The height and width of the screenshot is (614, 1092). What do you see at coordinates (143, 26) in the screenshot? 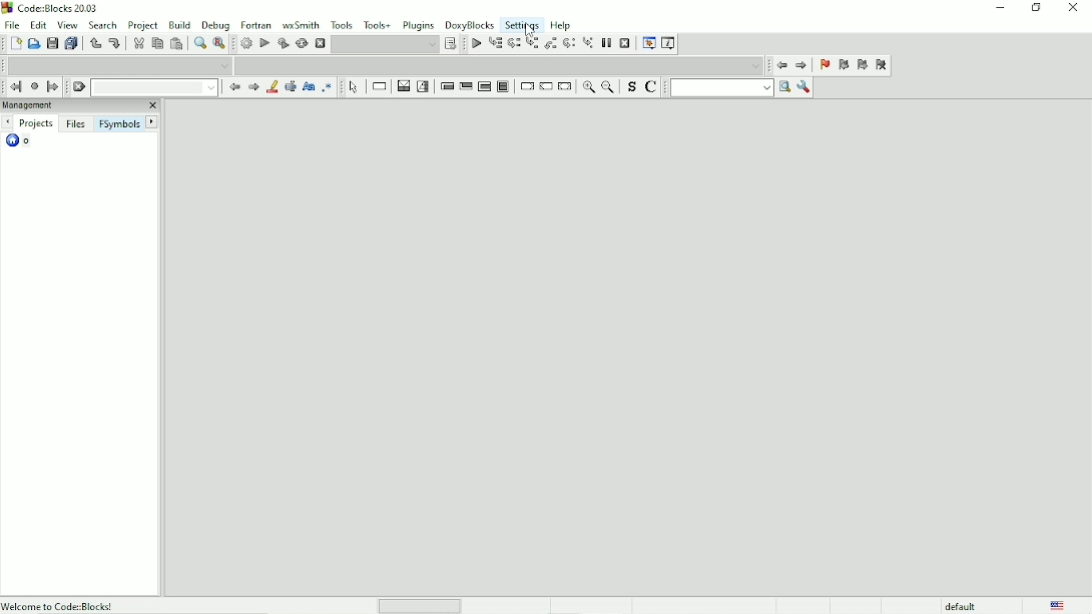
I see `Project` at bounding box center [143, 26].